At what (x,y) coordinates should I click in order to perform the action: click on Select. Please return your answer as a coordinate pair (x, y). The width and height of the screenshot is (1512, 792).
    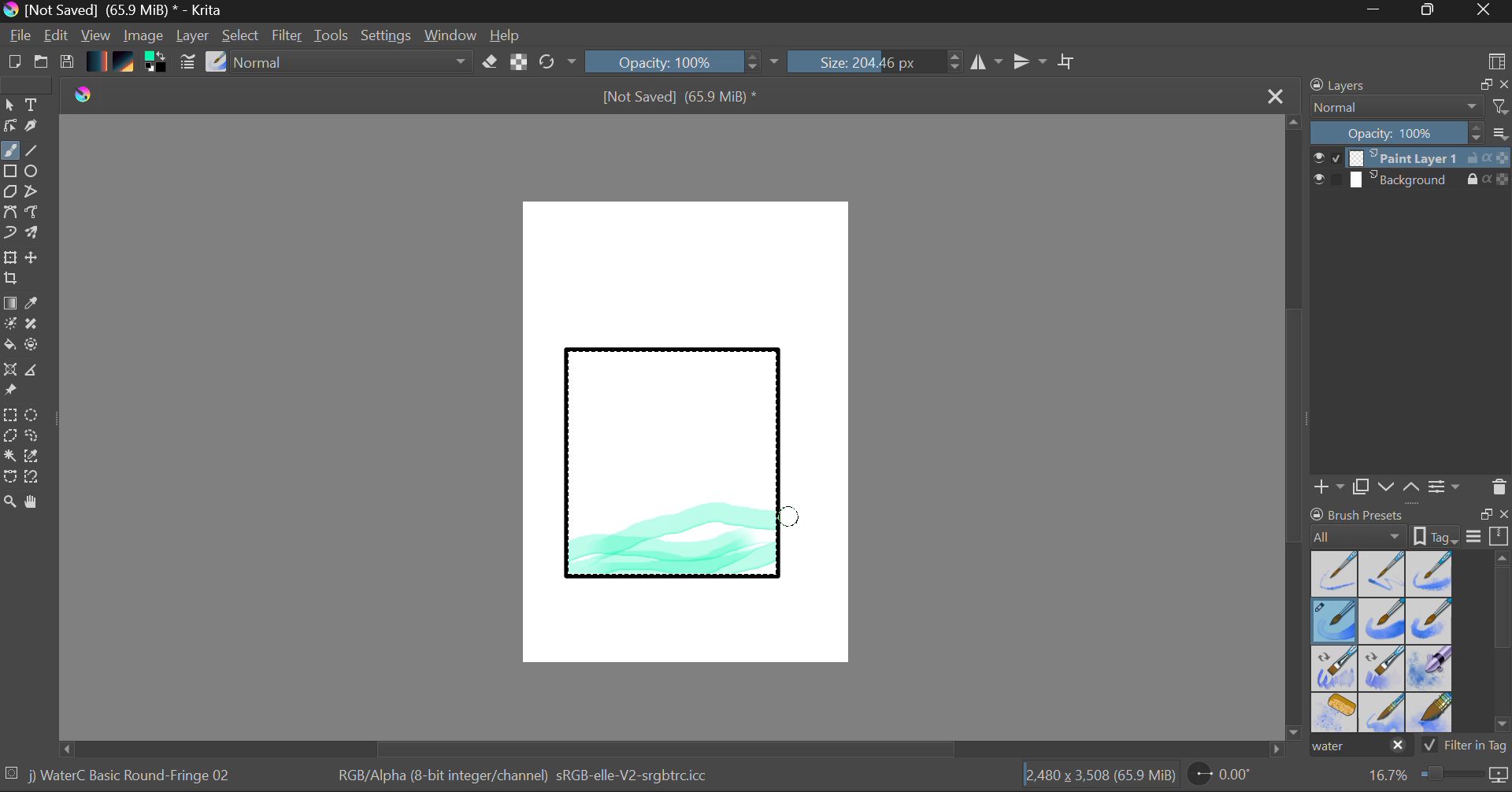
    Looking at the image, I should click on (242, 36).